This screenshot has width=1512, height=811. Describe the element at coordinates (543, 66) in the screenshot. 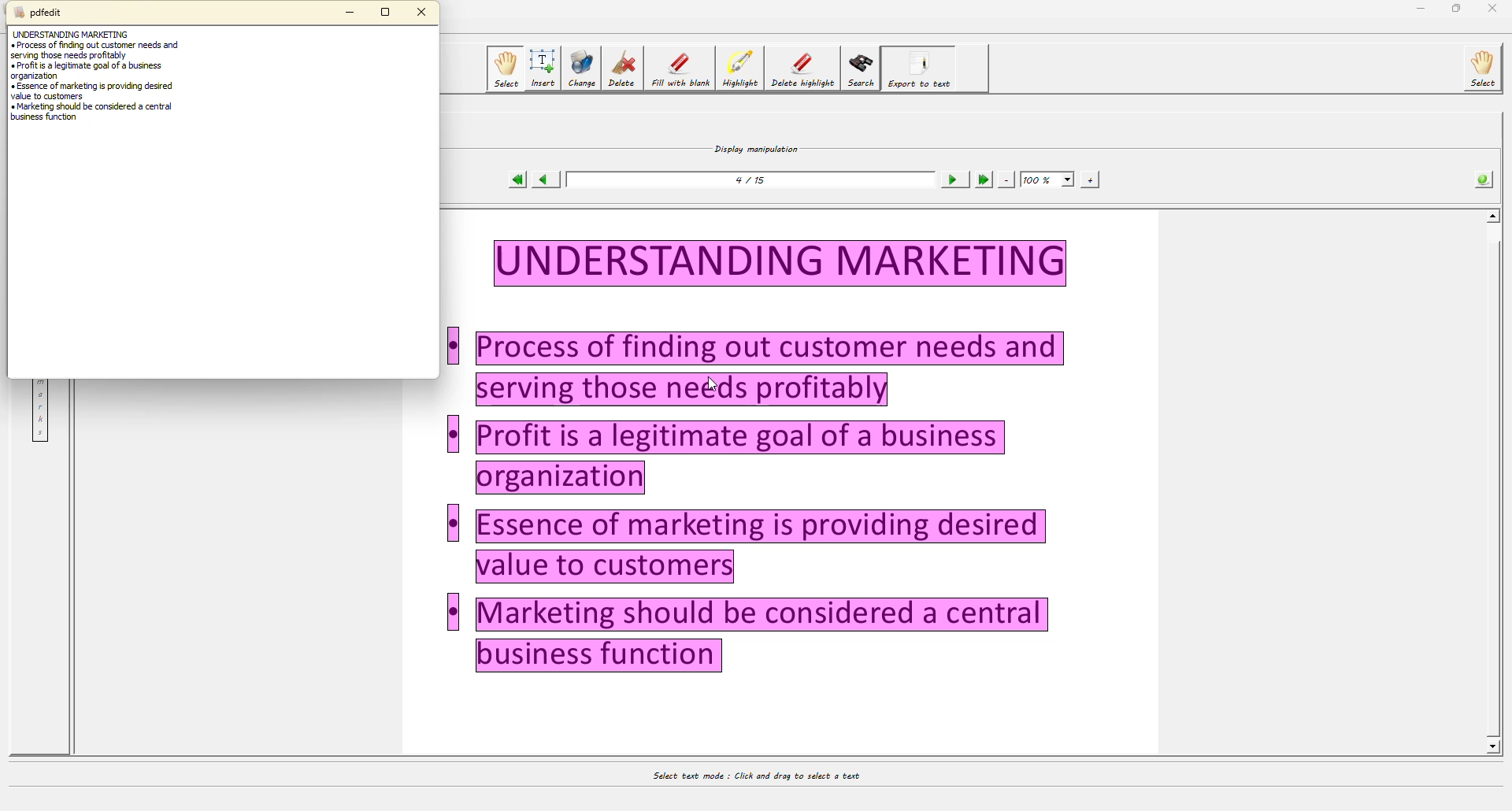

I see `isert` at that location.